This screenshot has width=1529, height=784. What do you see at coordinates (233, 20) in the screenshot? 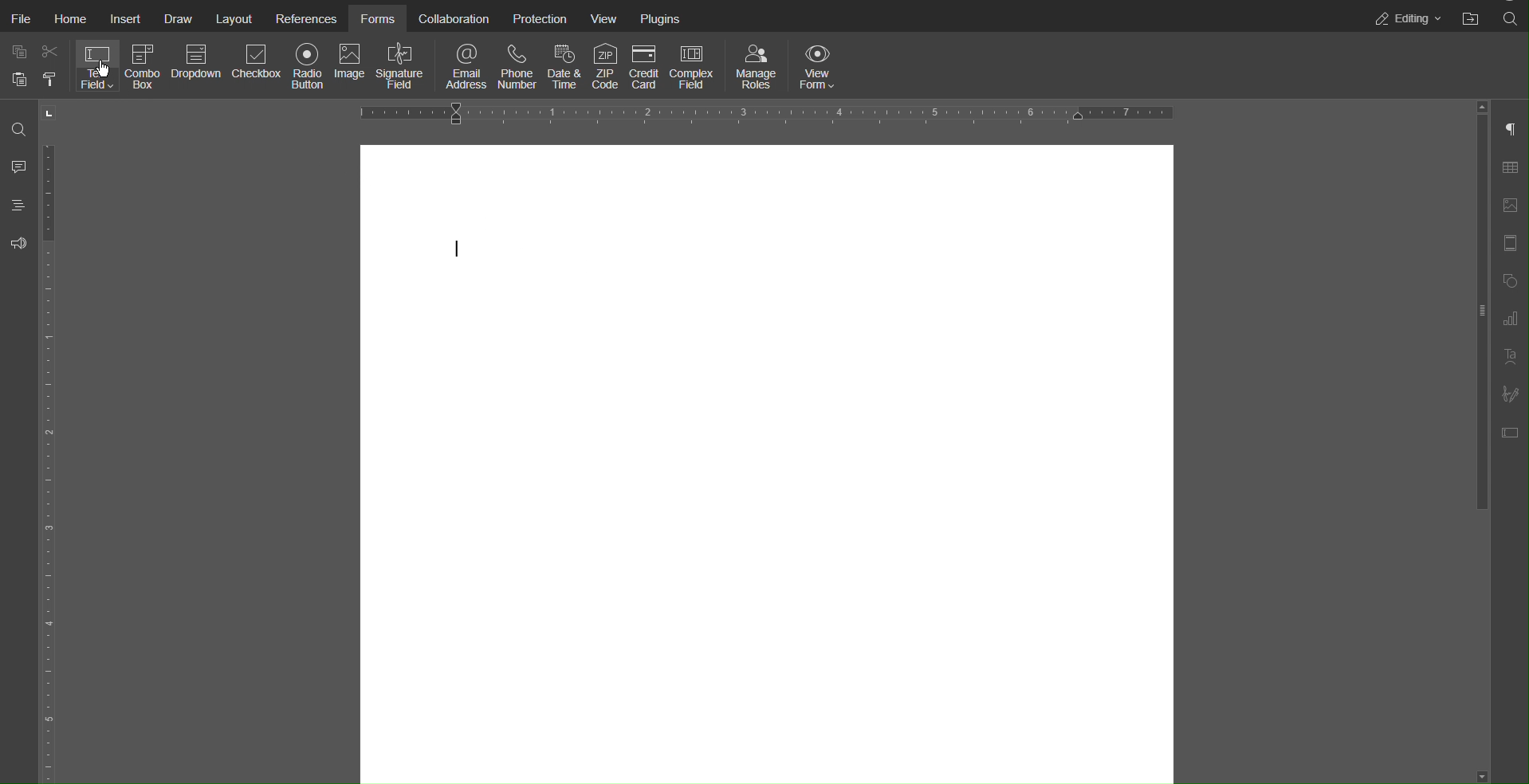
I see `Layout` at bounding box center [233, 20].